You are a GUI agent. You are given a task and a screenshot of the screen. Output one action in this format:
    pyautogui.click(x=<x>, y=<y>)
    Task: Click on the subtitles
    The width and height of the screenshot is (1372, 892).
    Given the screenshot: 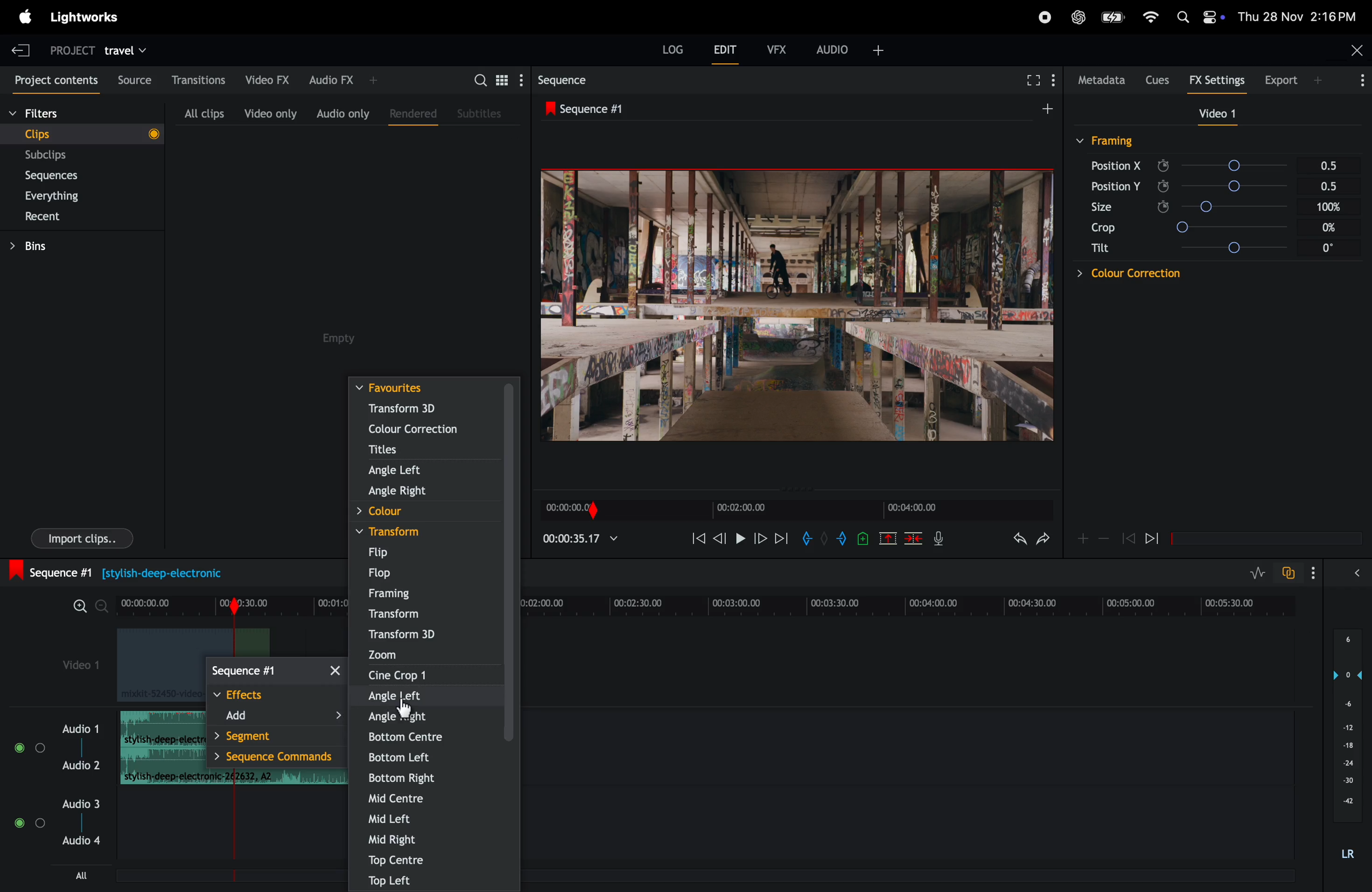 What is the action you would take?
    pyautogui.click(x=481, y=112)
    